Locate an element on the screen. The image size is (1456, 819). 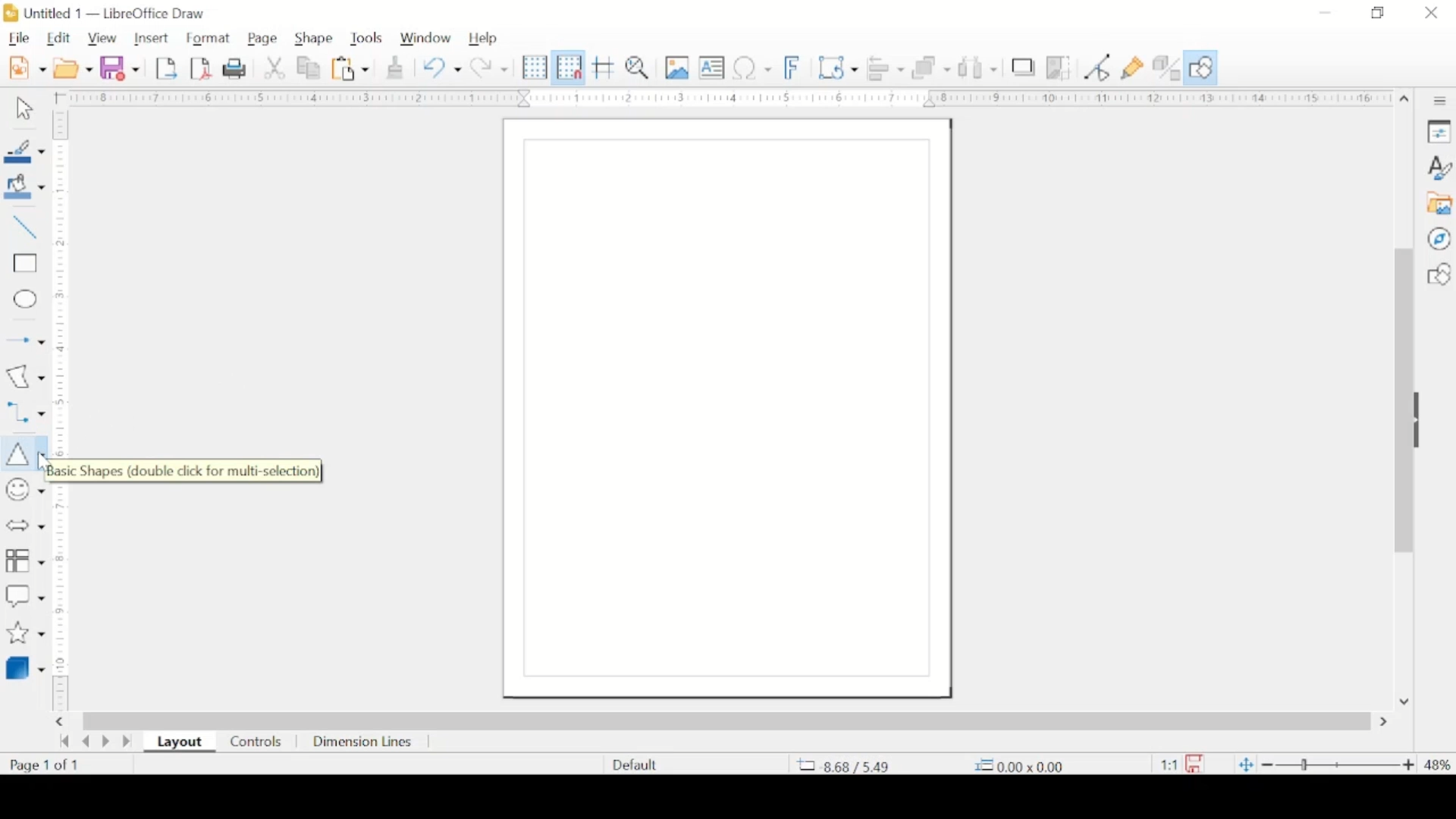
insert special characters is located at coordinates (752, 67).